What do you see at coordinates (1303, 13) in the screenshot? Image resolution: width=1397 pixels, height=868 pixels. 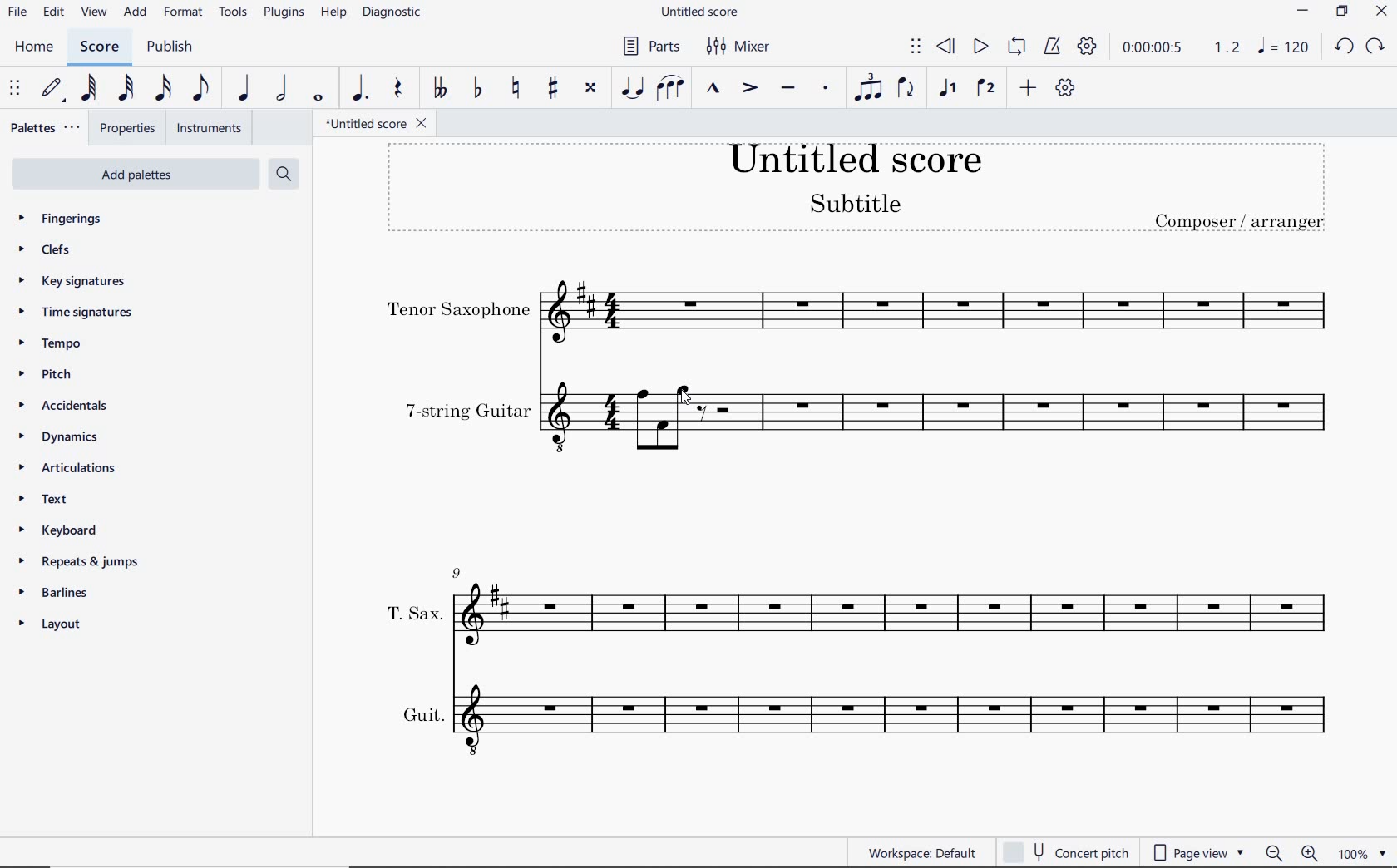 I see `MINIMIZE` at bounding box center [1303, 13].